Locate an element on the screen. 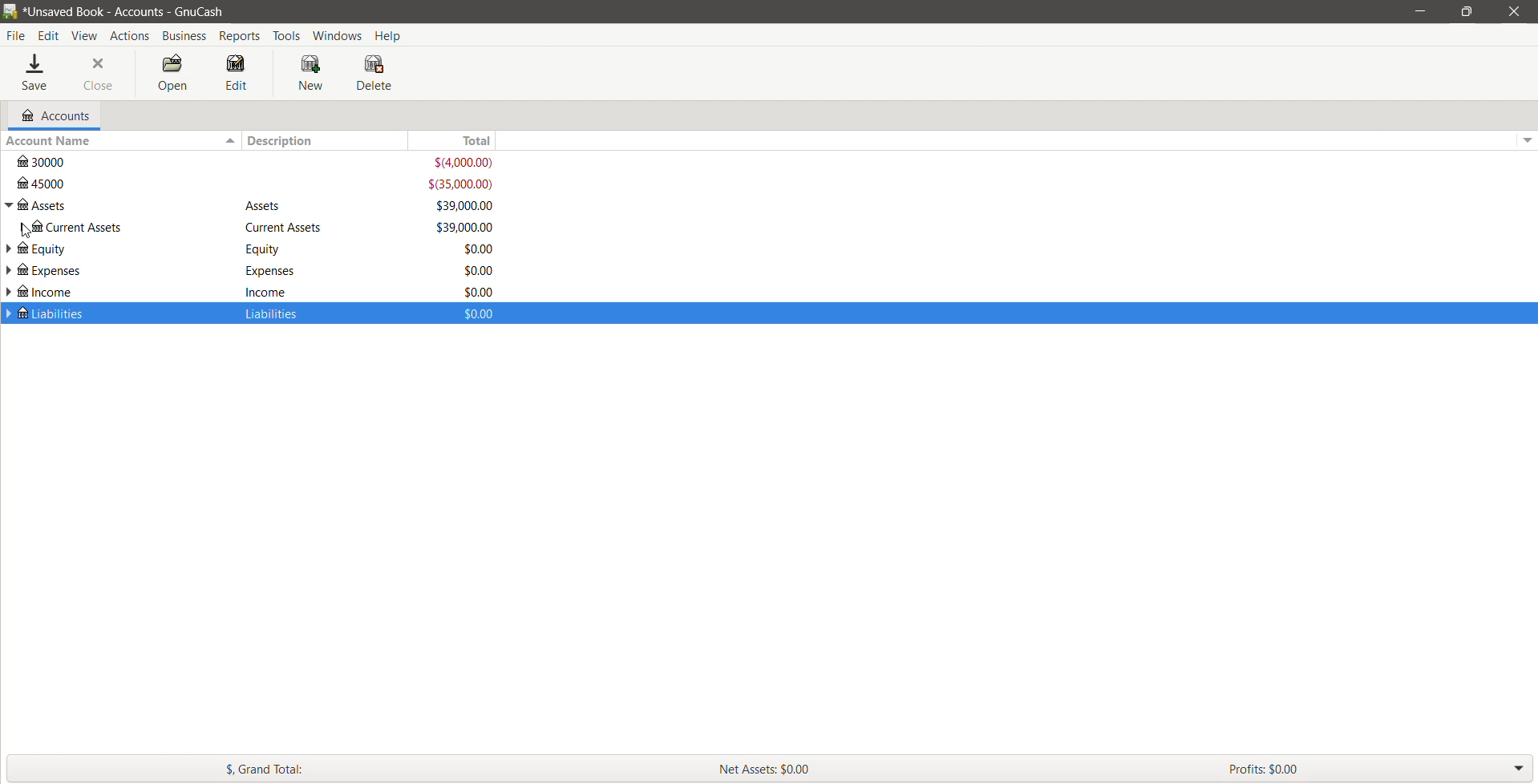 Image resolution: width=1538 pixels, height=784 pixels. New is located at coordinates (311, 72).